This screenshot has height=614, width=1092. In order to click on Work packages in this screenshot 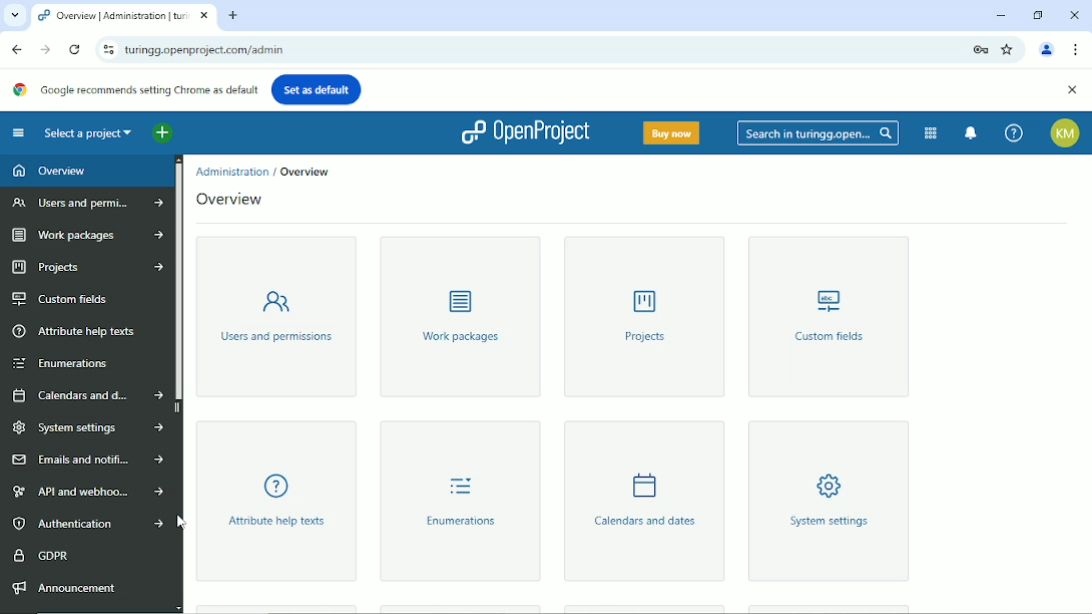, I will do `click(460, 317)`.